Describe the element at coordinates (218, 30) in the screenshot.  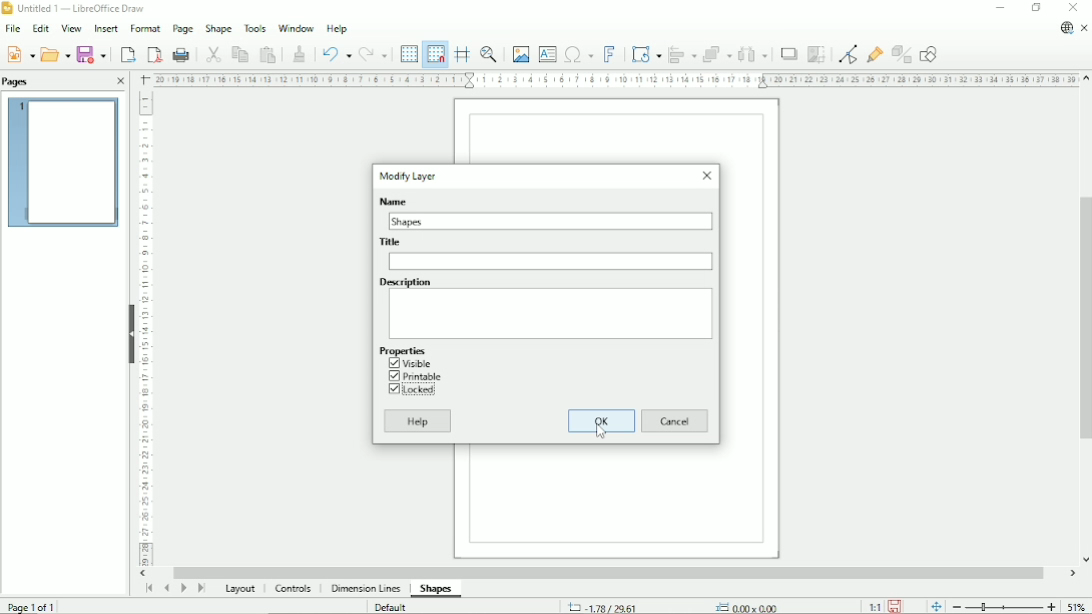
I see `Shape` at that location.